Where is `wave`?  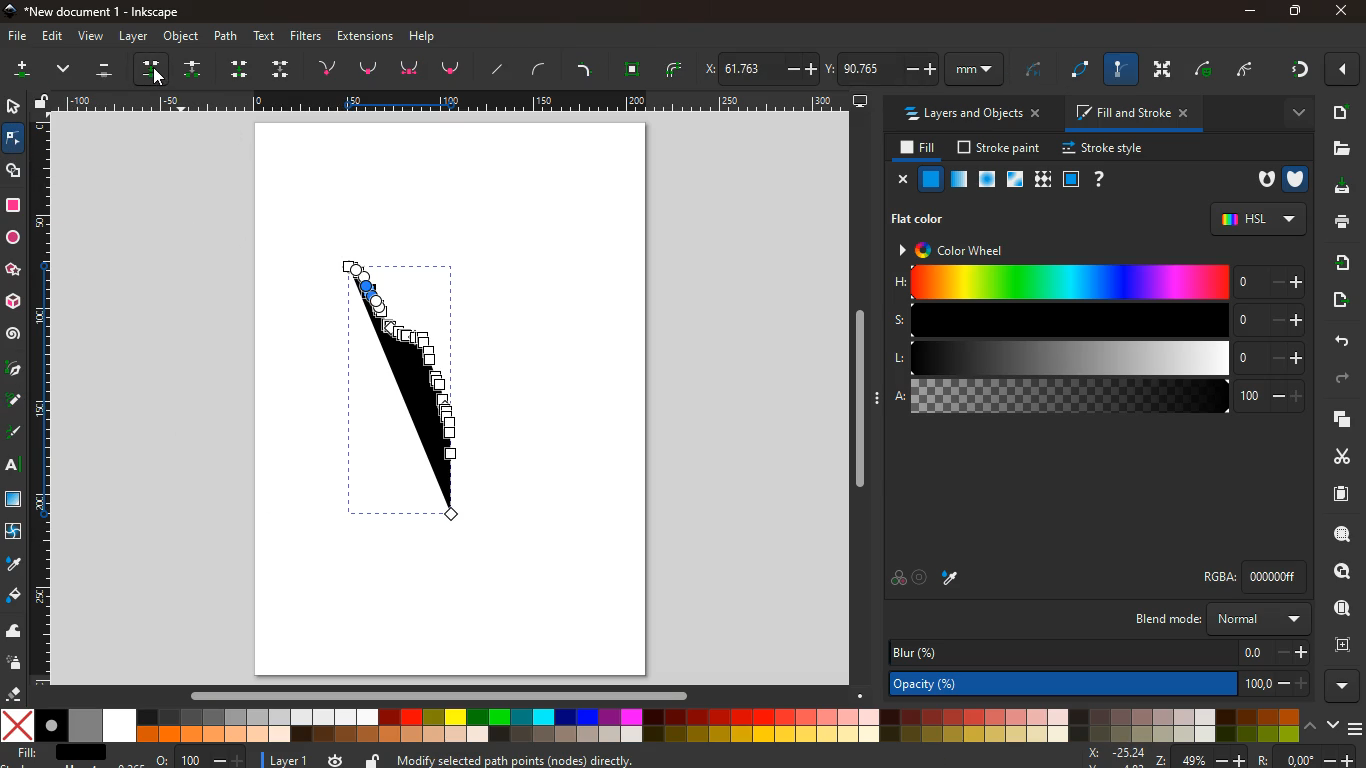 wave is located at coordinates (15, 630).